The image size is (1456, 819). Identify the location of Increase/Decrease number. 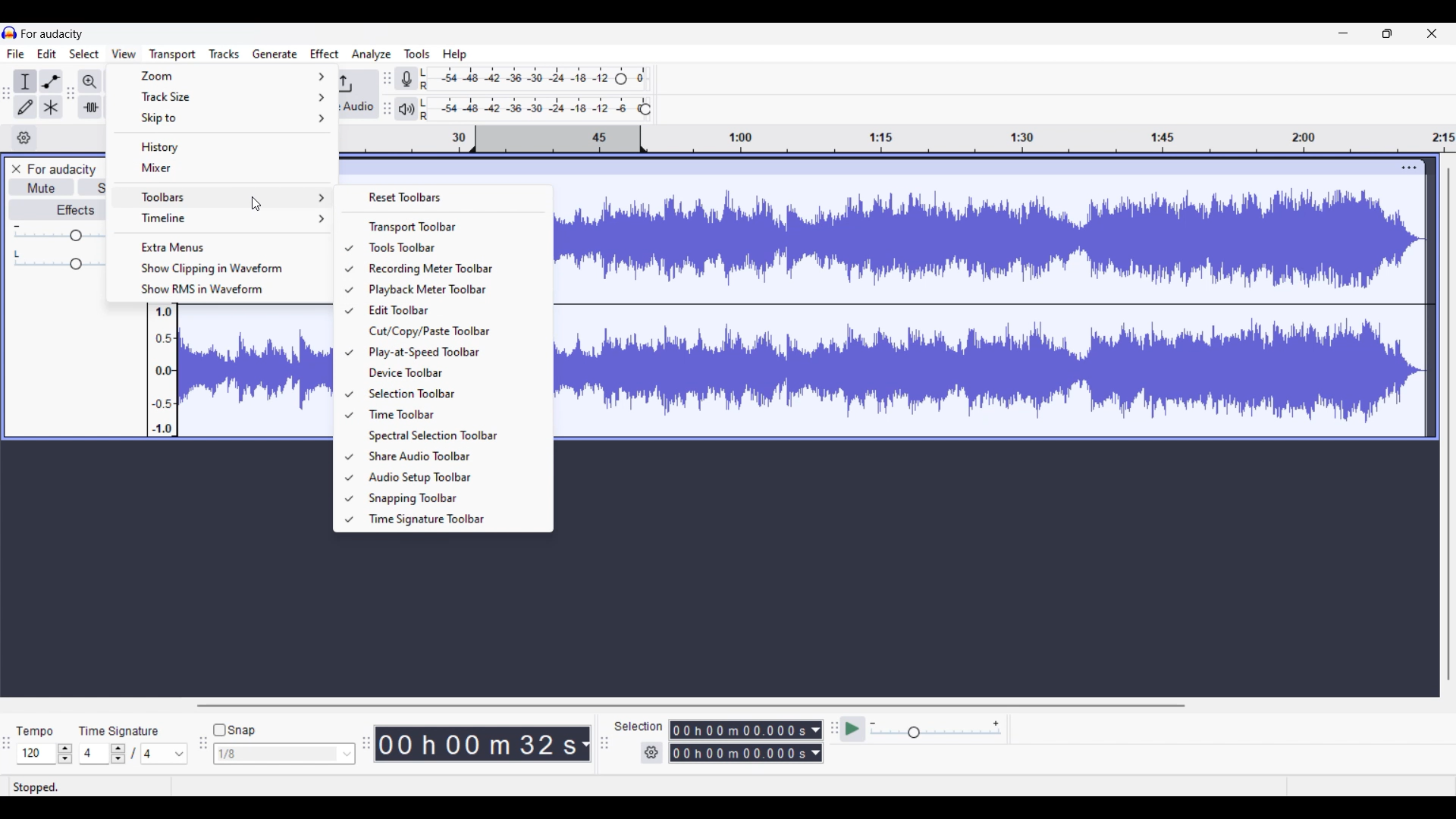
(118, 754).